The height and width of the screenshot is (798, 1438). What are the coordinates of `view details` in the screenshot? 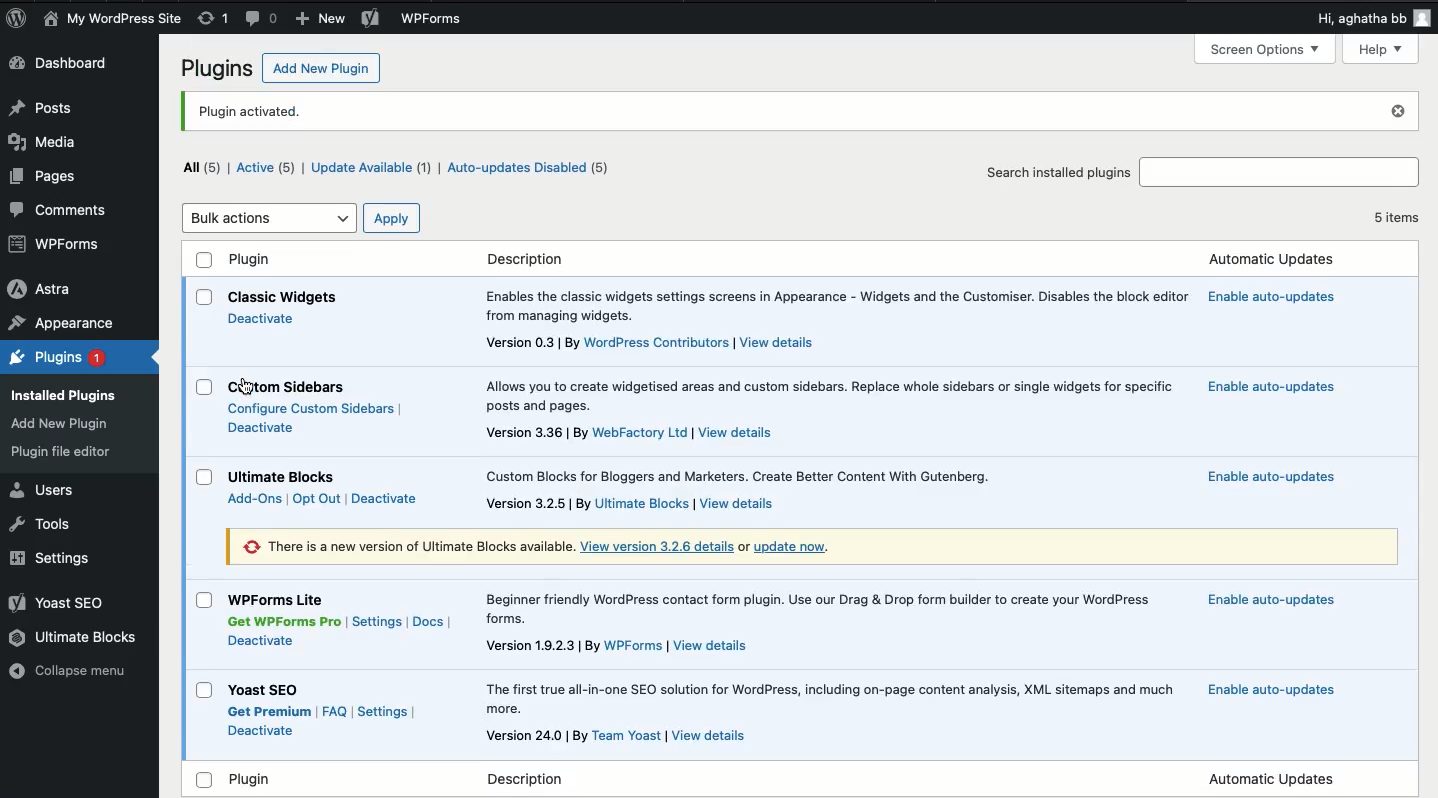 It's located at (657, 547).